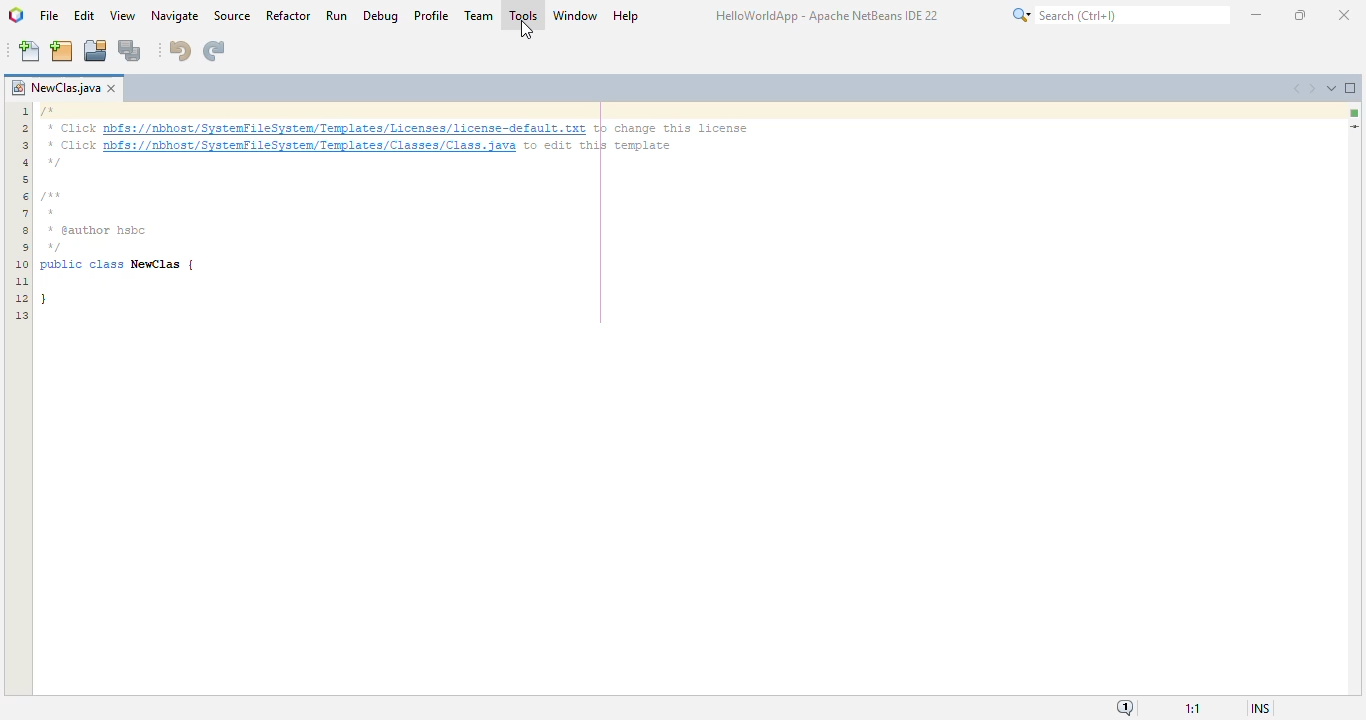 The image size is (1366, 720). I want to click on undo, so click(180, 51).